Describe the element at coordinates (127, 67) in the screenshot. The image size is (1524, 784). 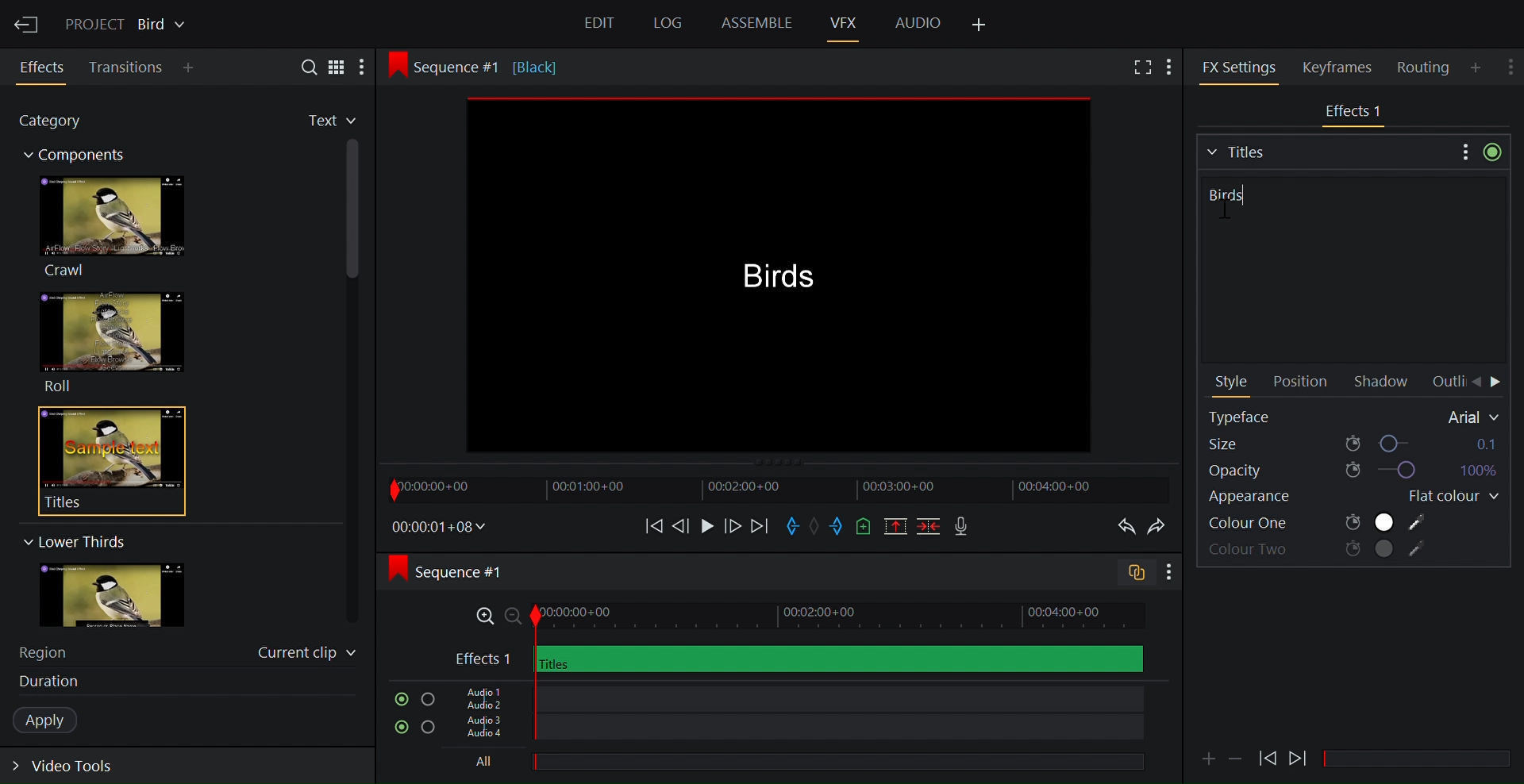
I see `Transition` at that location.